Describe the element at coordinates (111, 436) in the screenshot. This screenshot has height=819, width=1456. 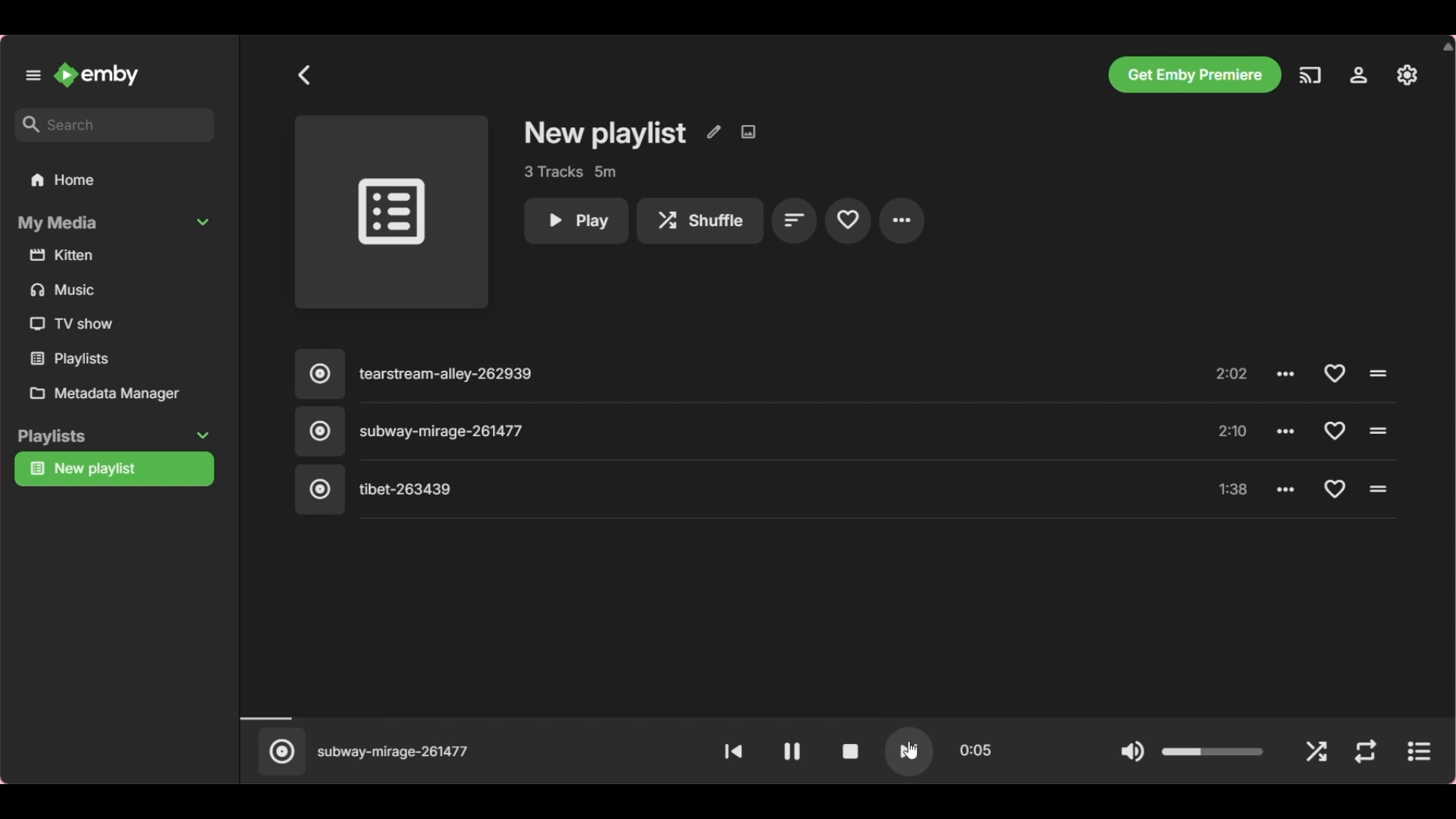
I see `Playlists` at that location.